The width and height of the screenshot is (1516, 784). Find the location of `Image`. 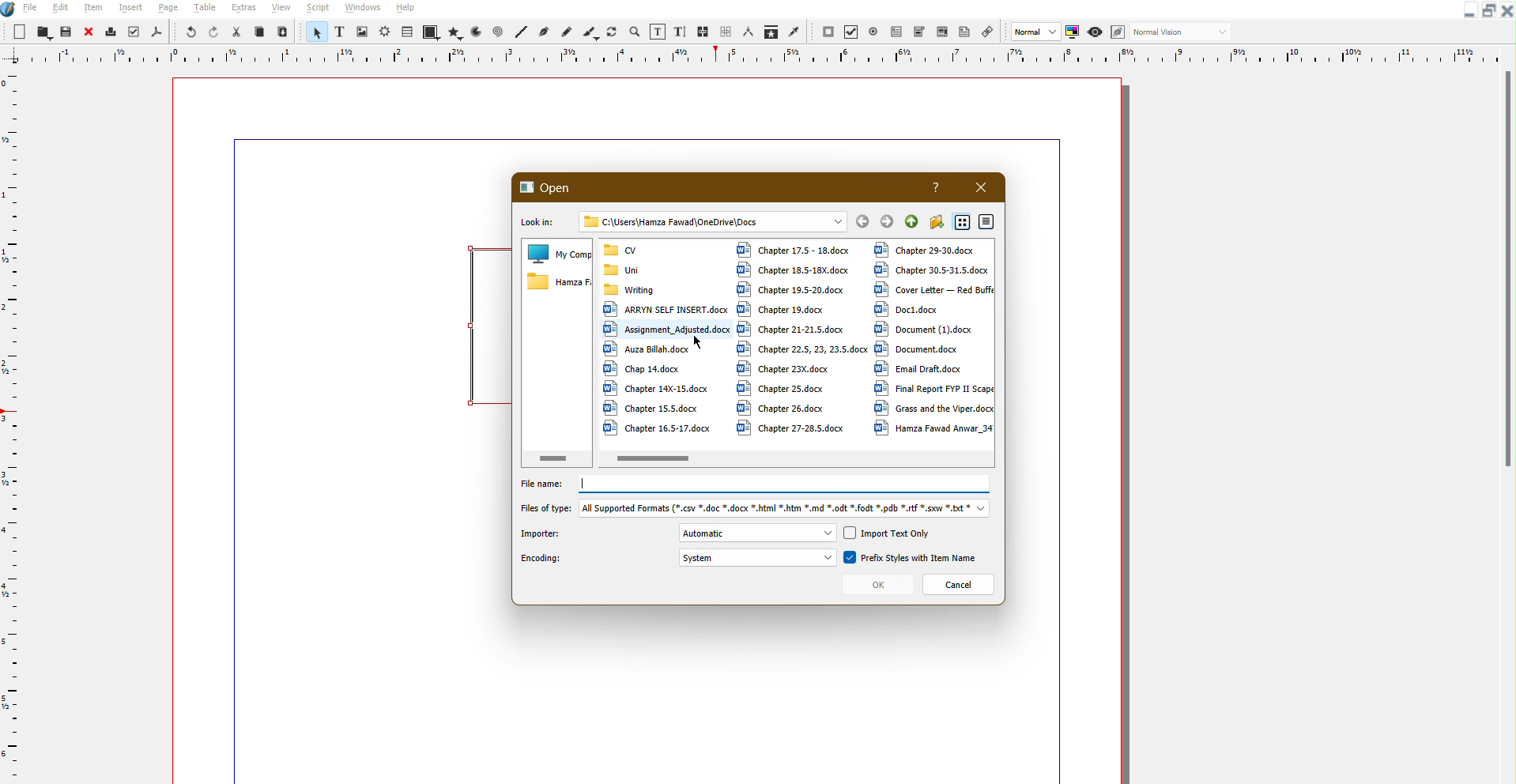

Image is located at coordinates (363, 32).